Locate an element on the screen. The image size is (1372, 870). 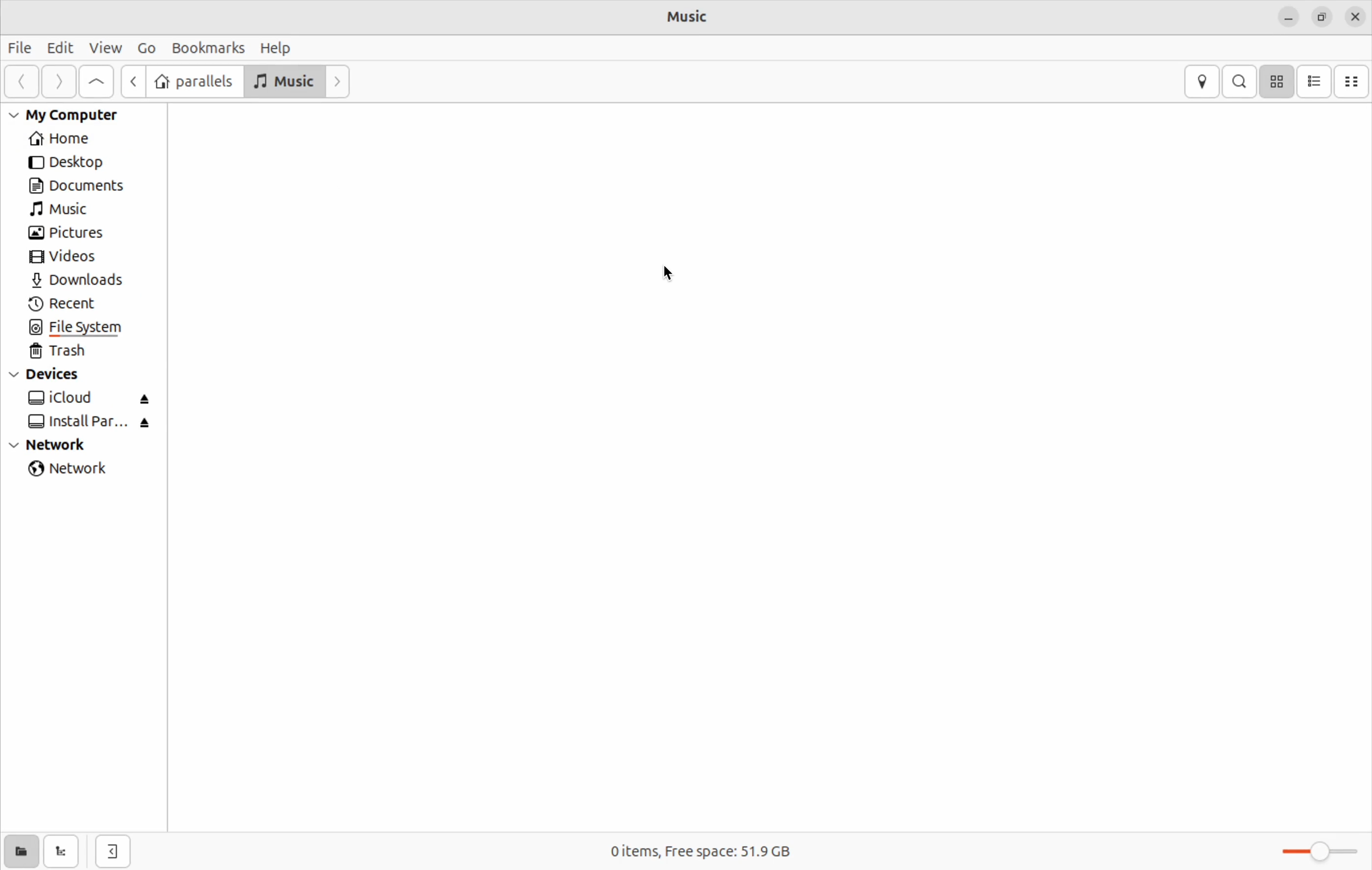
file system is located at coordinates (81, 328).